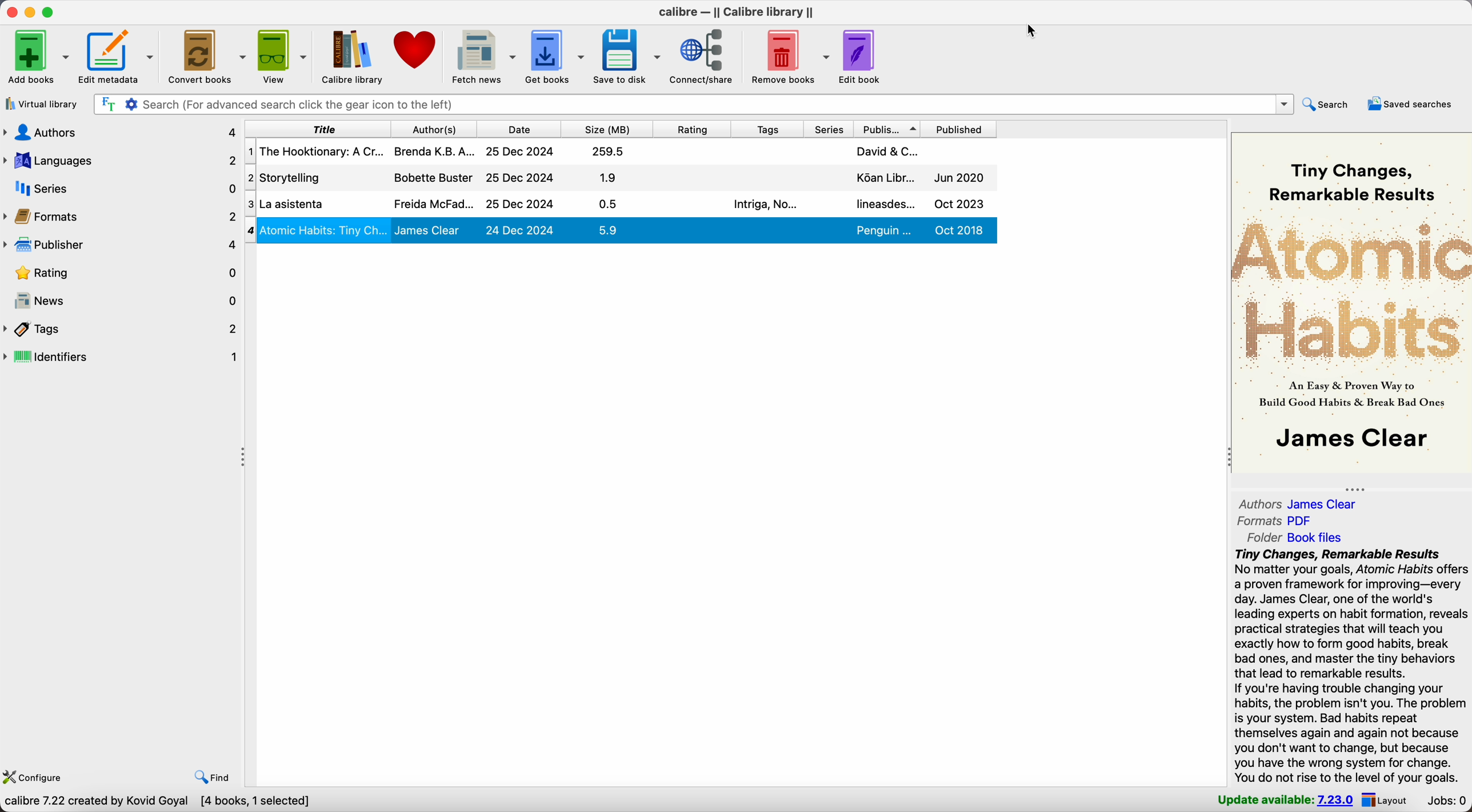 Image resolution: width=1472 pixels, height=812 pixels. Describe the element at coordinates (435, 129) in the screenshot. I see `authors` at that location.